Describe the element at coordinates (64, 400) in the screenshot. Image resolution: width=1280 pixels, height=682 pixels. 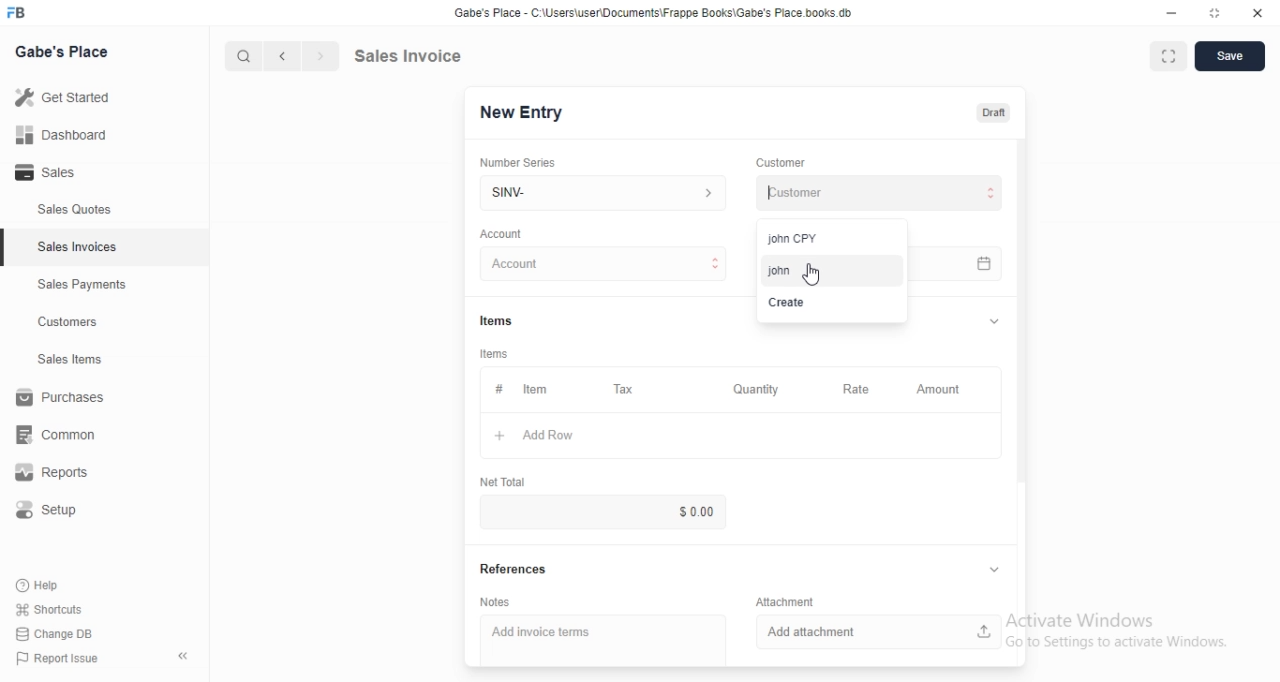
I see `Purchases` at that location.